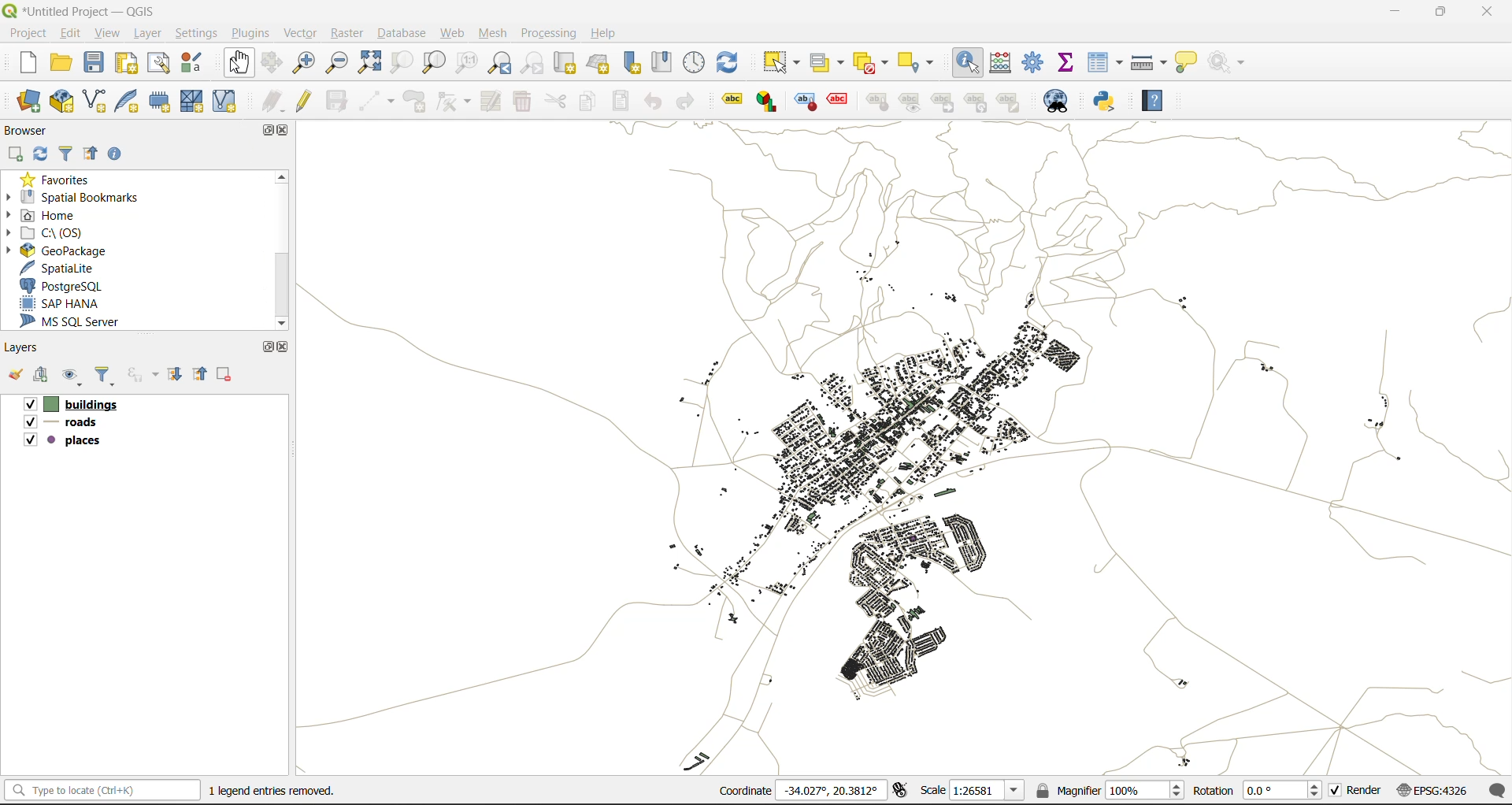  I want to click on layers, so click(24, 348).